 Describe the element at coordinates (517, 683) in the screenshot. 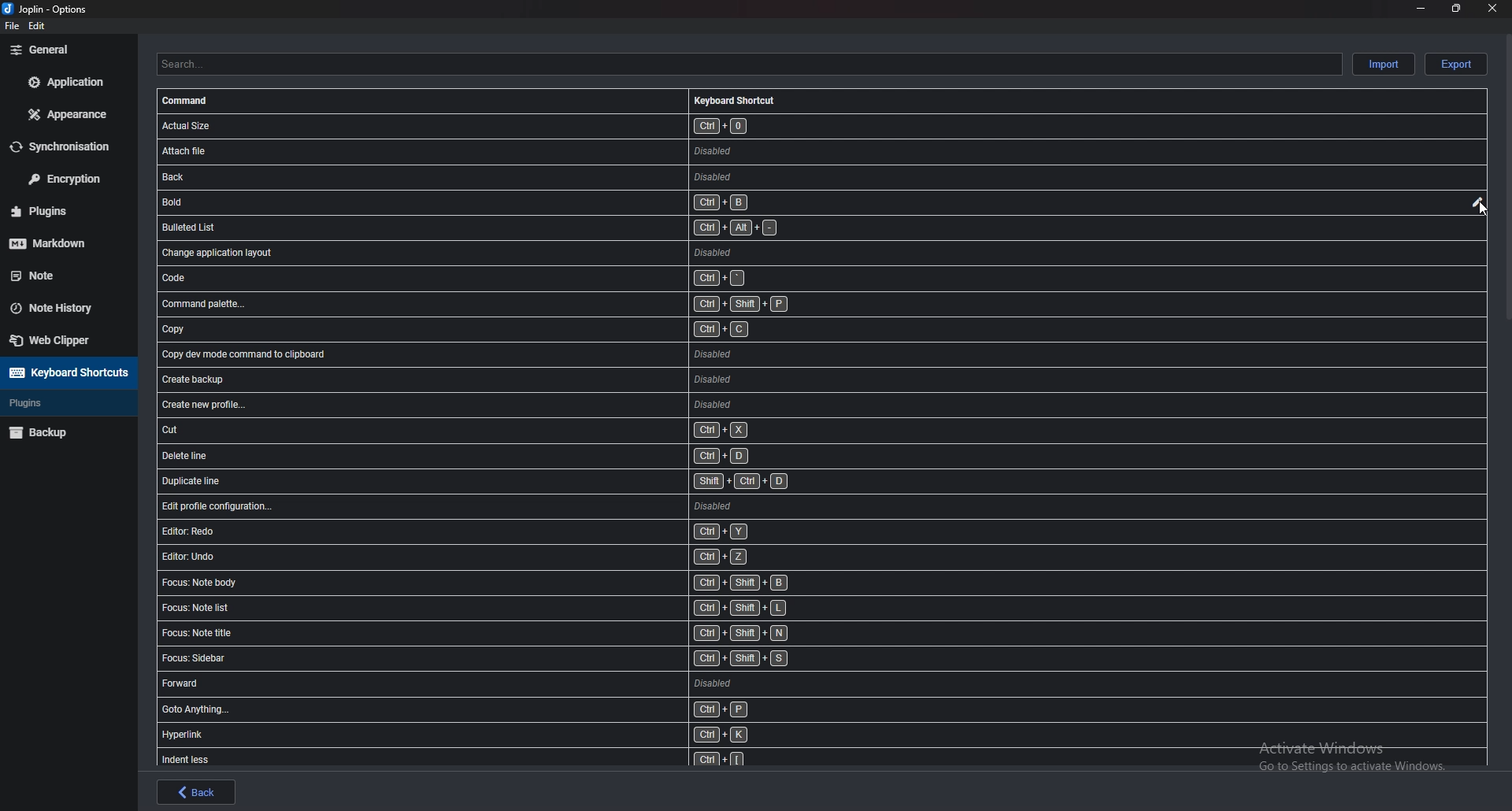

I see `shortcut` at that location.